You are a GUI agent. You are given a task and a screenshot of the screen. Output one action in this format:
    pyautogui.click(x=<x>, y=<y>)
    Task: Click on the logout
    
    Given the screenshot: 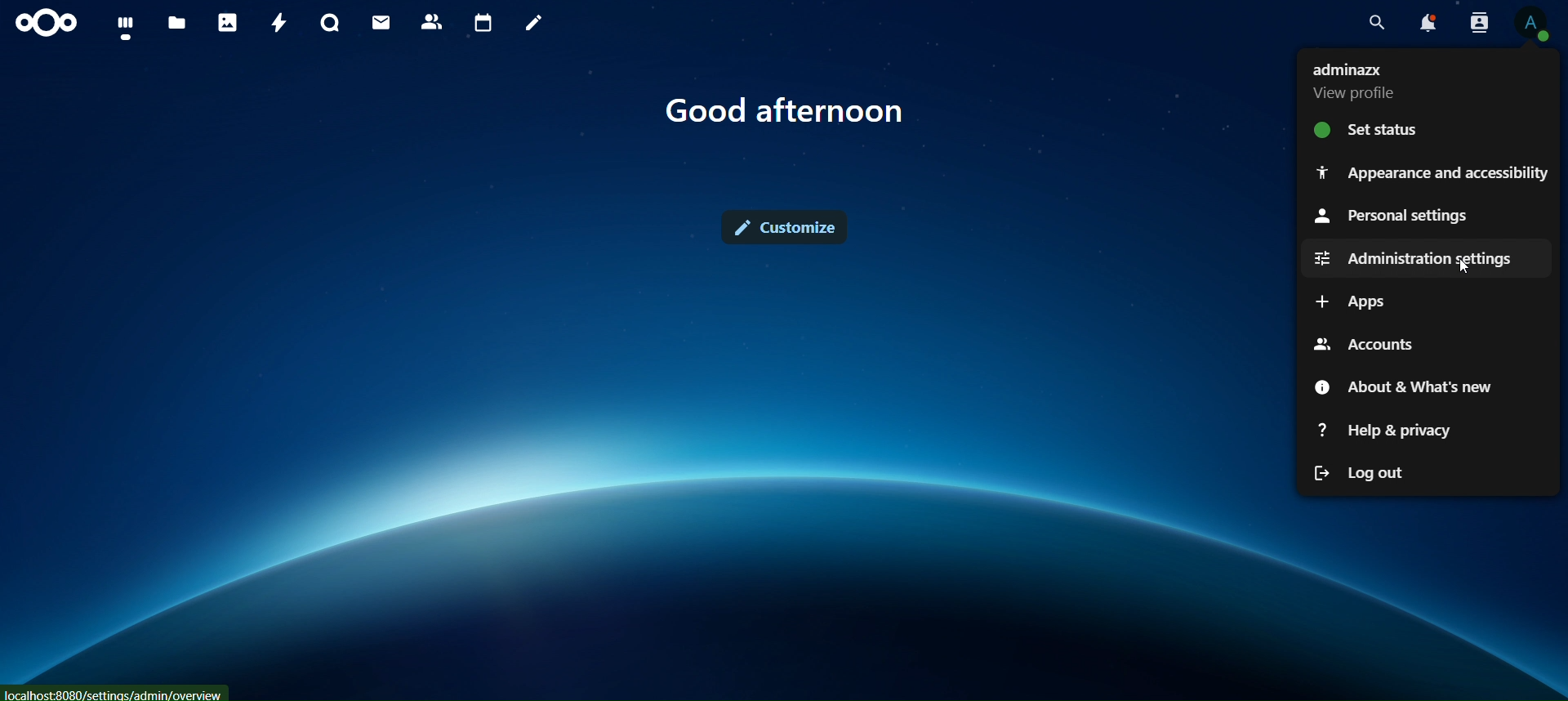 What is the action you would take?
    pyautogui.click(x=1362, y=471)
    